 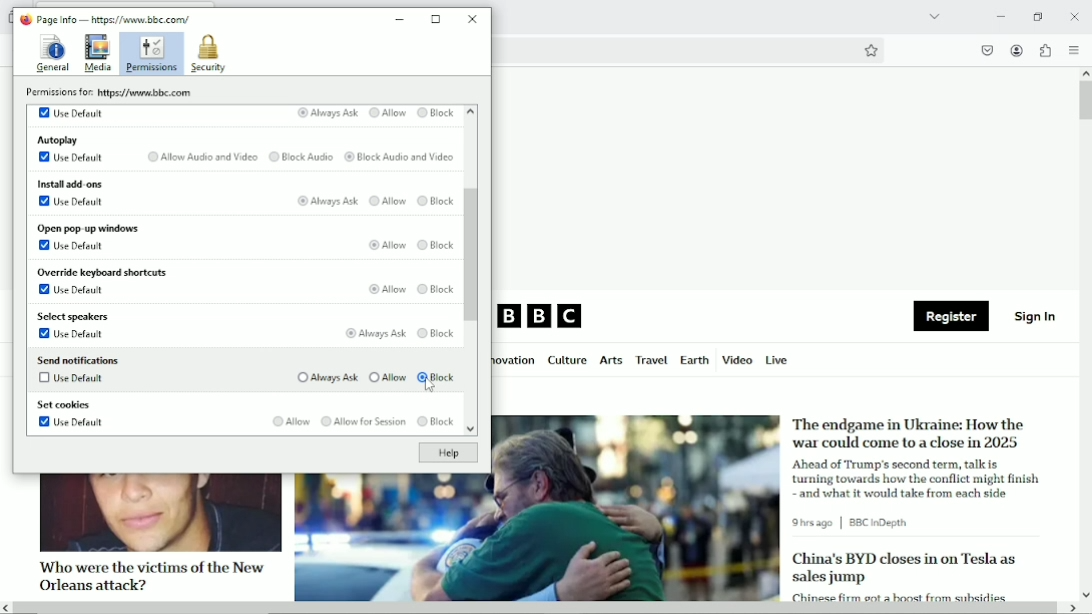 What do you see at coordinates (986, 50) in the screenshot?
I see `save to pocket` at bounding box center [986, 50].